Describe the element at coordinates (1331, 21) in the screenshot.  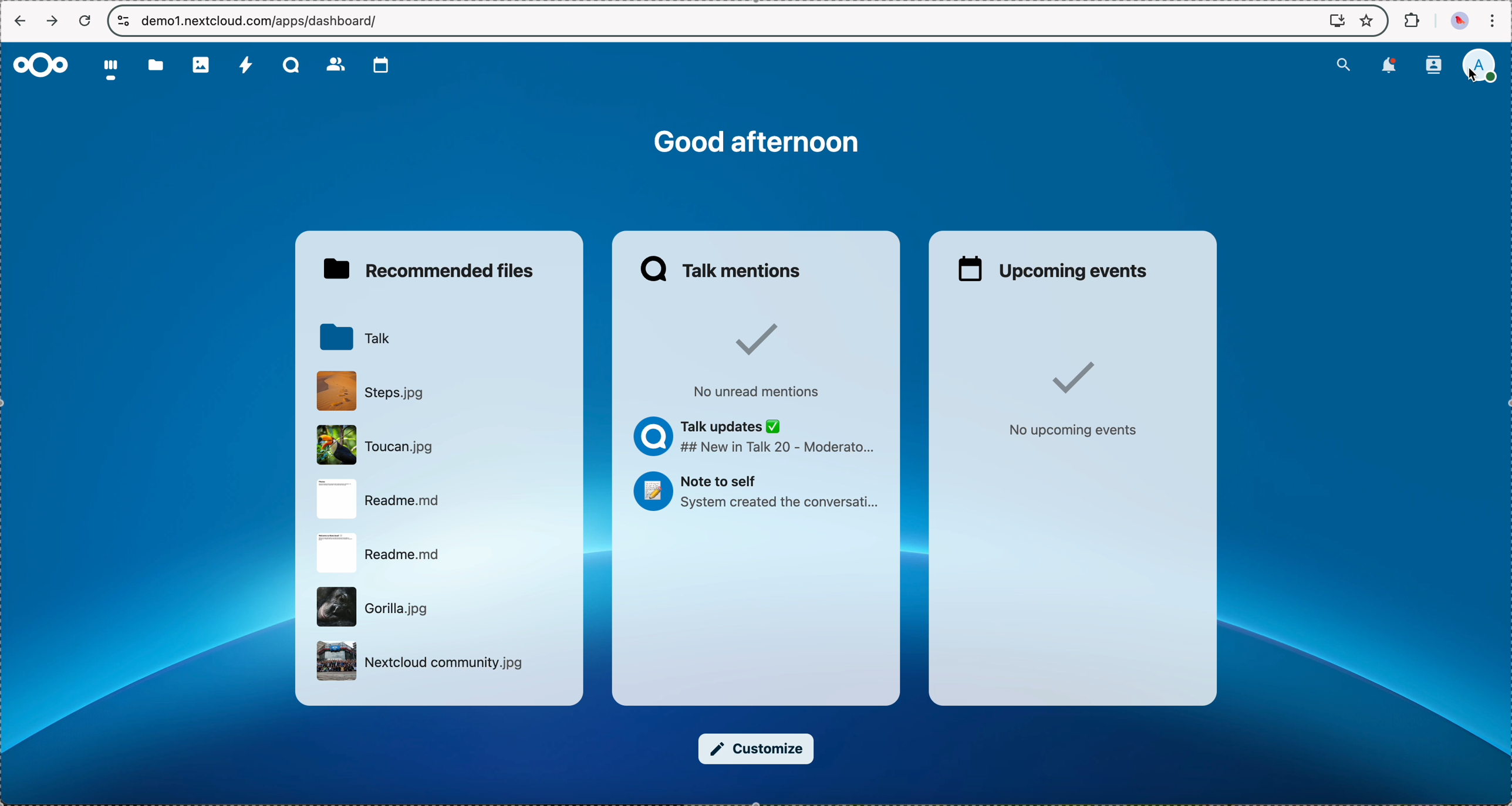
I see `screen` at that location.